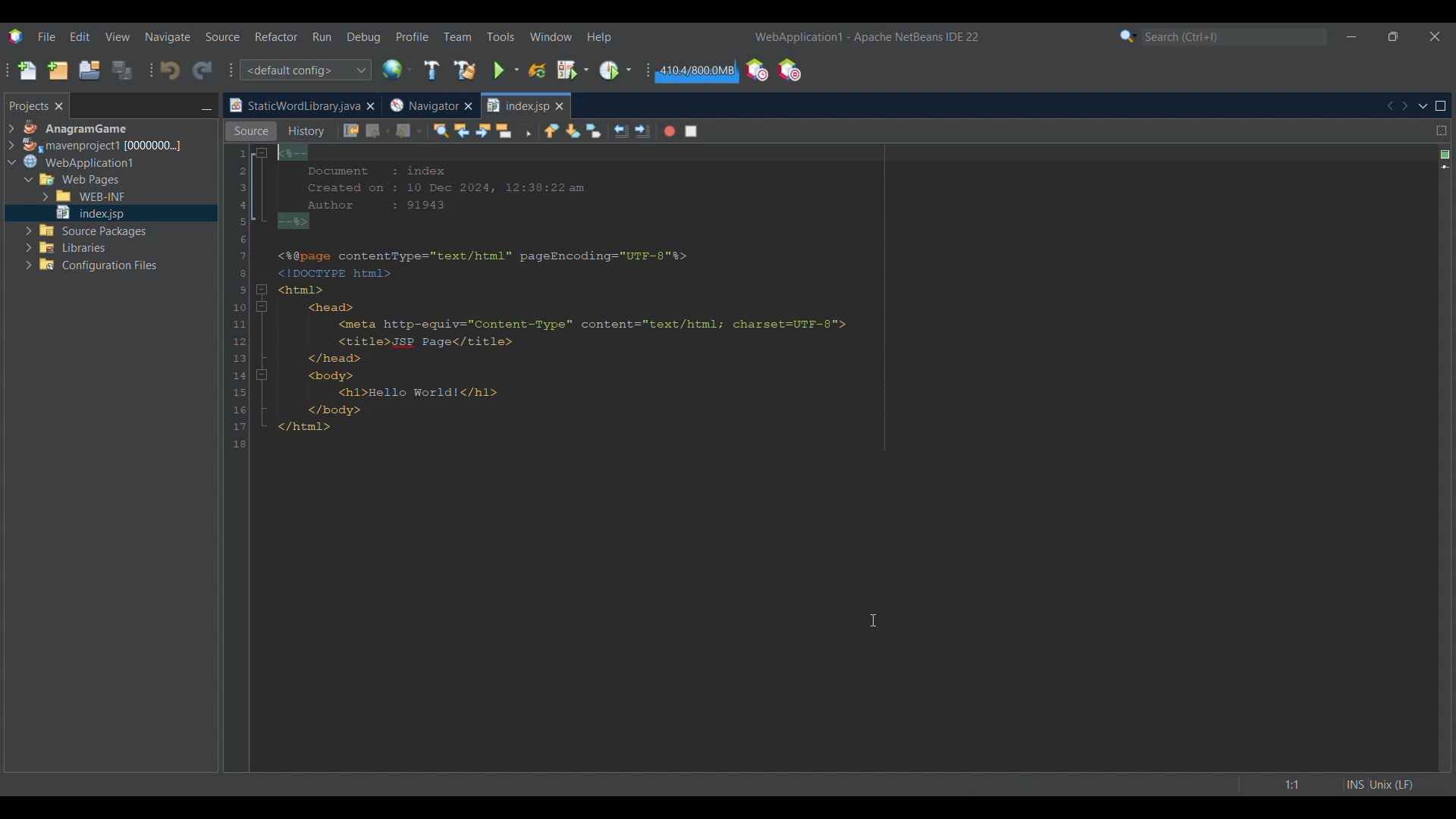  Describe the element at coordinates (83, 216) in the screenshot. I see `New sub-folder and libraries added to projects` at that location.